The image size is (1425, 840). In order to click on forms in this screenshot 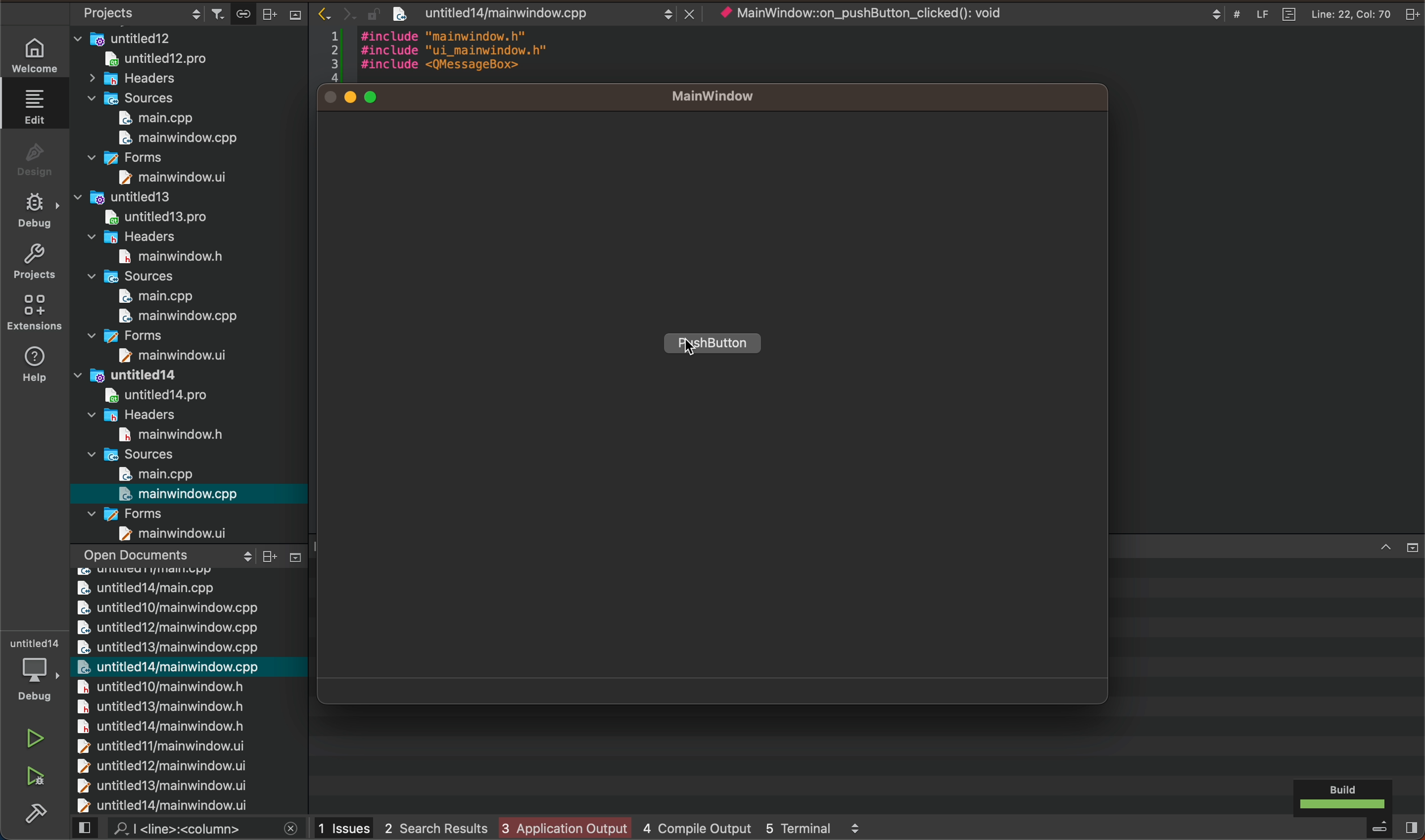, I will do `click(130, 159)`.